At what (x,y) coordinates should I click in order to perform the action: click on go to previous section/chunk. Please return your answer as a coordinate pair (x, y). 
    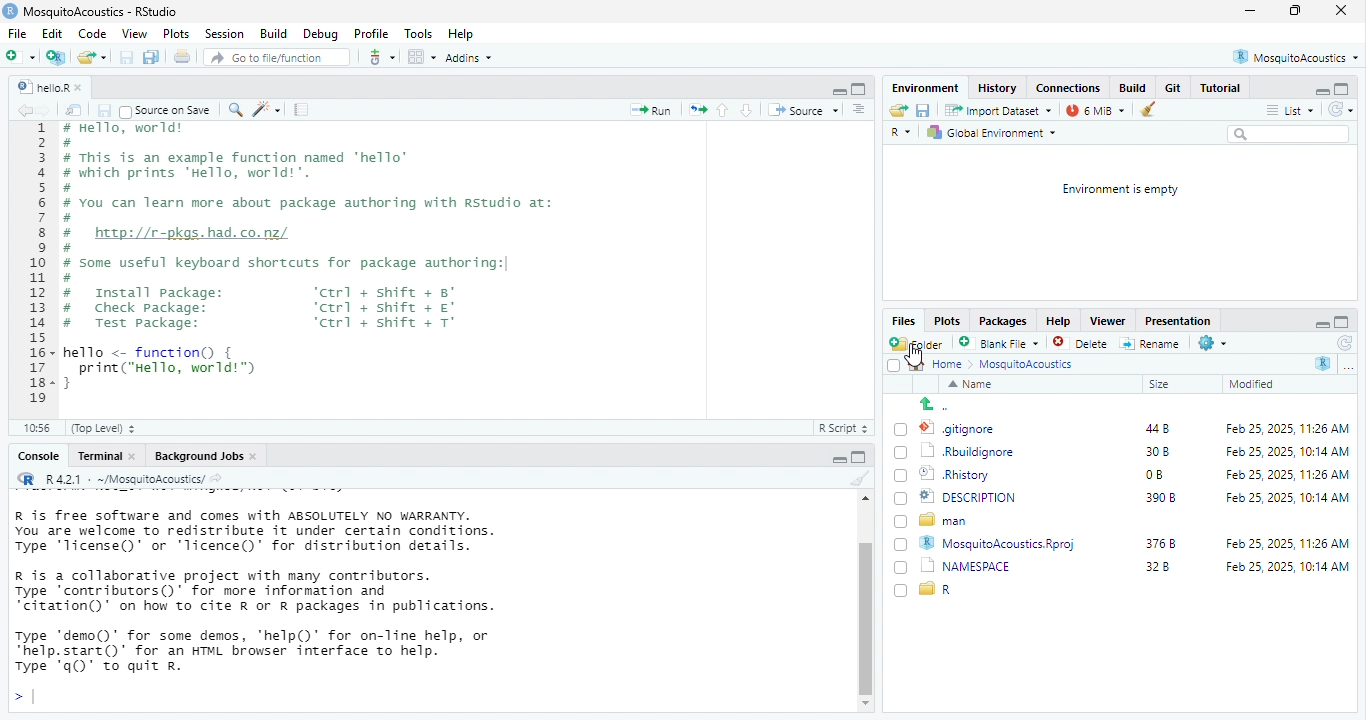
    Looking at the image, I should click on (724, 112).